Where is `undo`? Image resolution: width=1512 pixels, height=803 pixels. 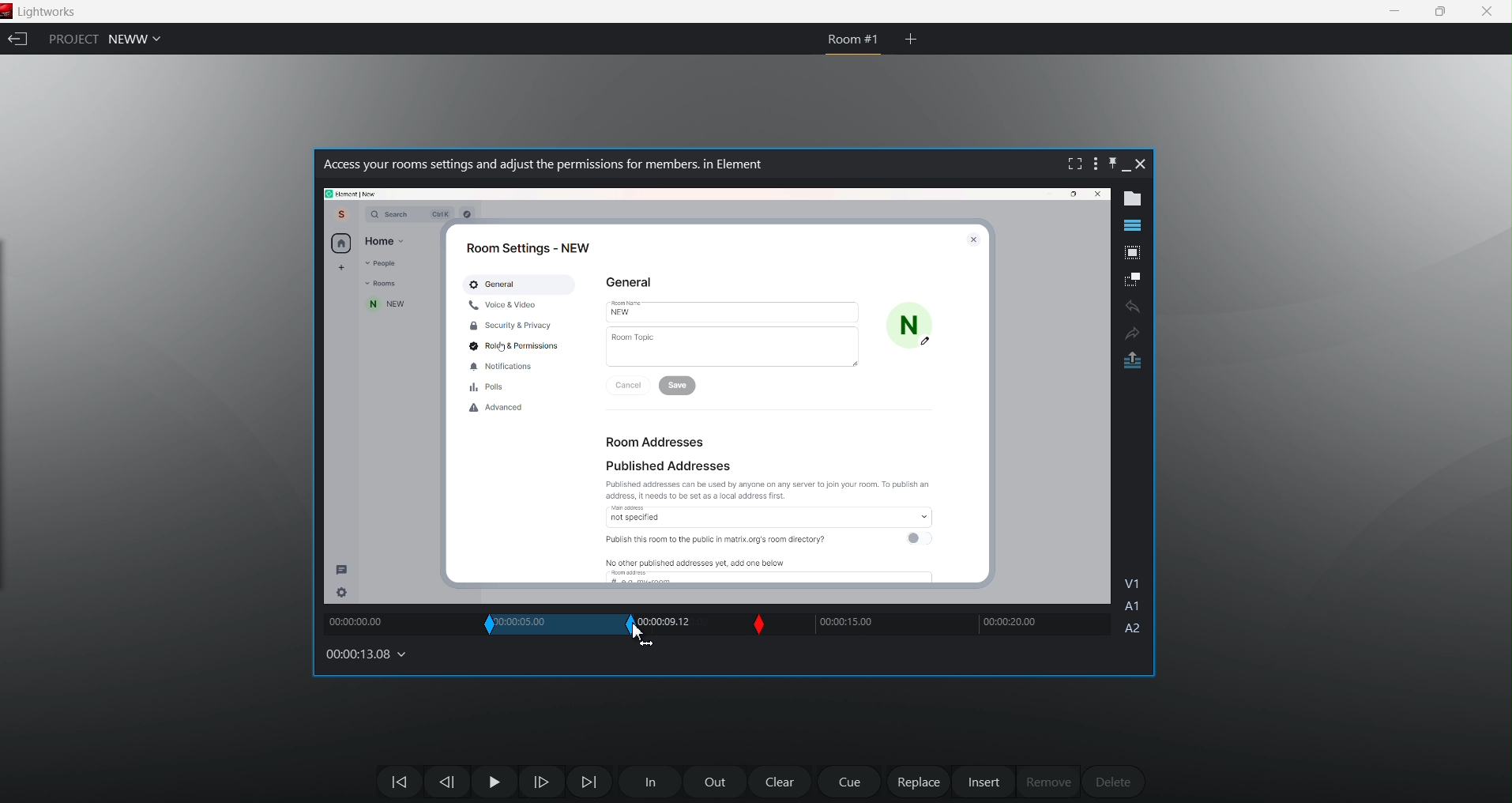 undo is located at coordinates (1135, 307).